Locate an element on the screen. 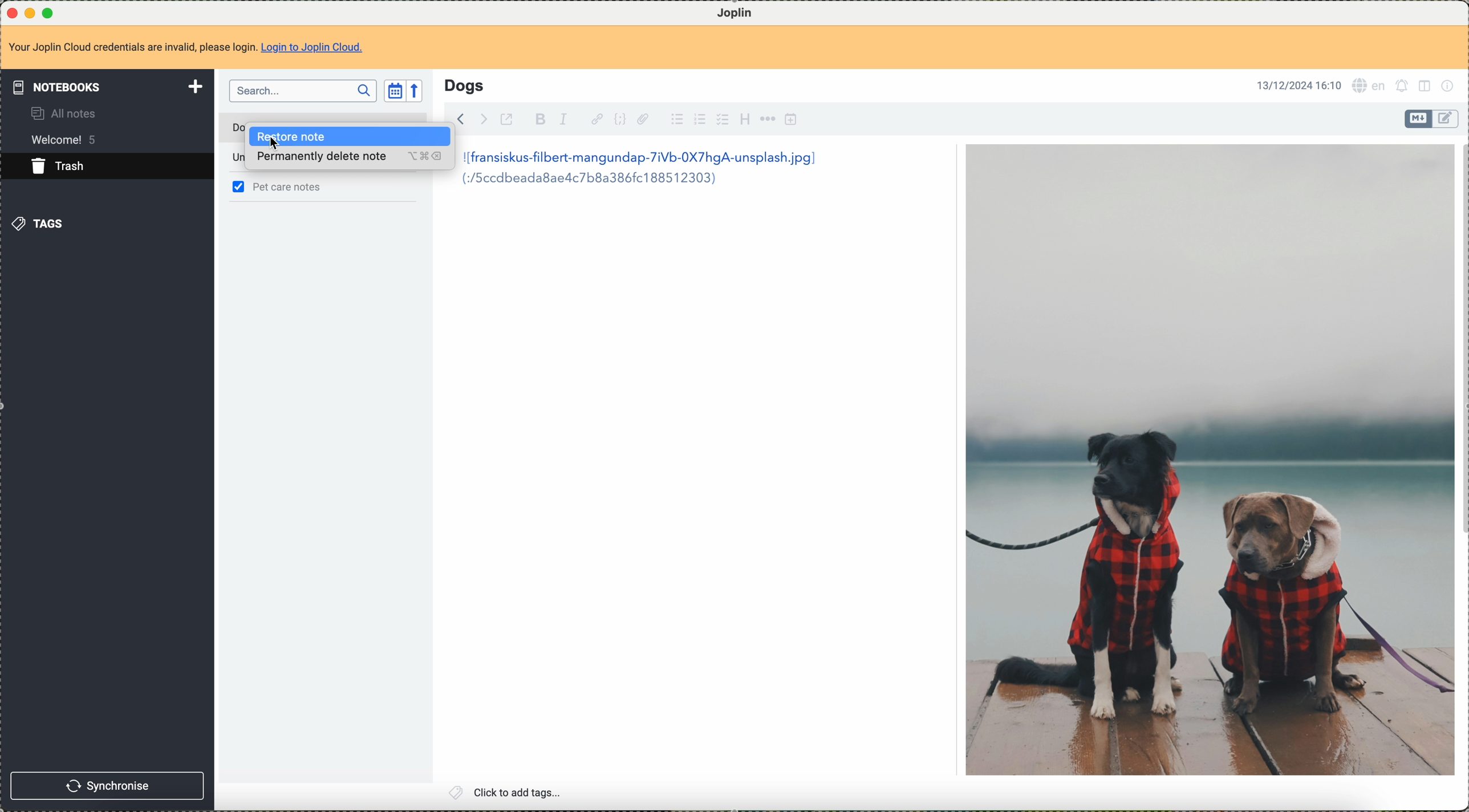  notebooks is located at coordinates (107, 85).